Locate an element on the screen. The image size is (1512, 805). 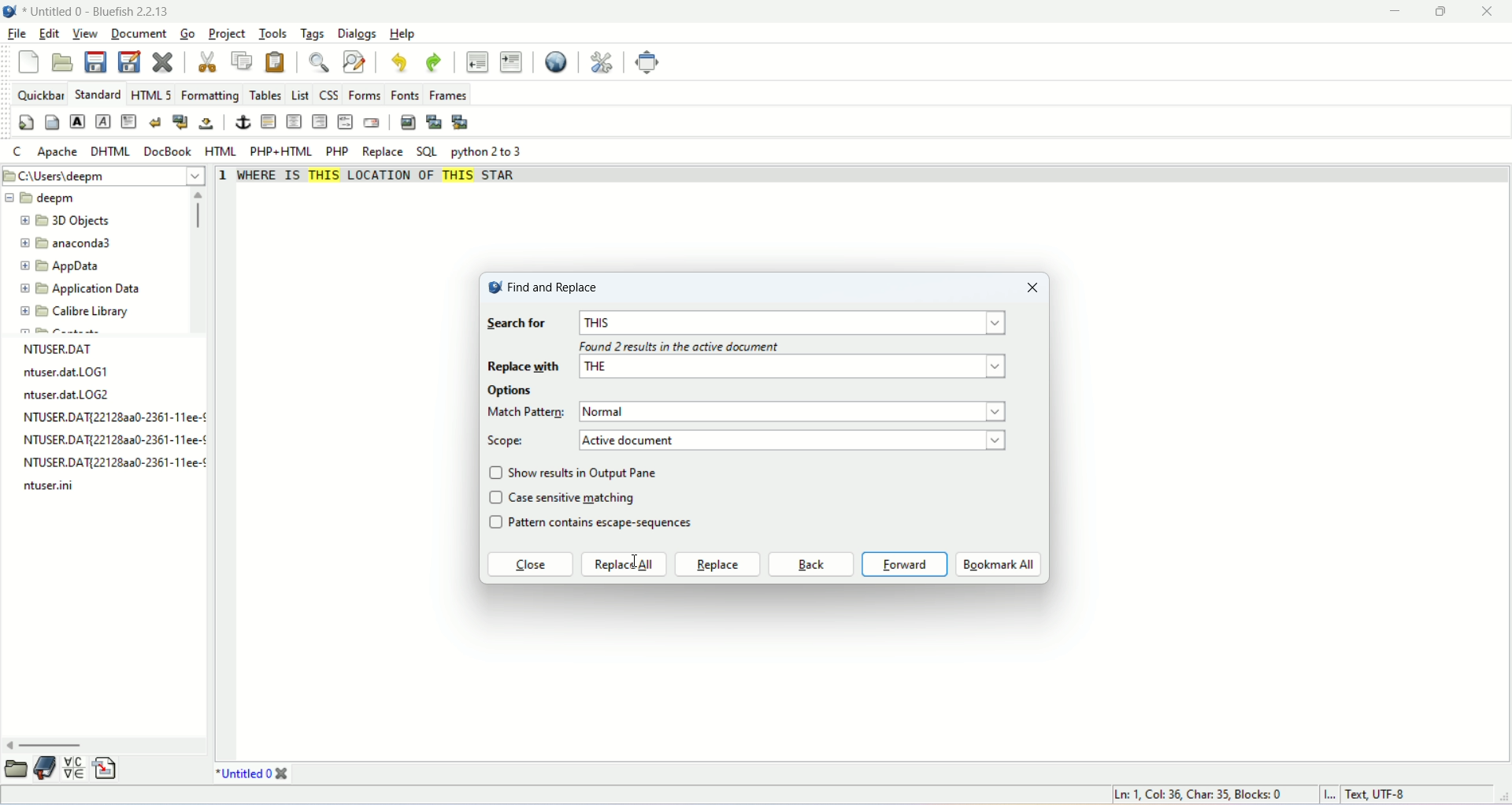
right justify is located at coordinates (319, 121).